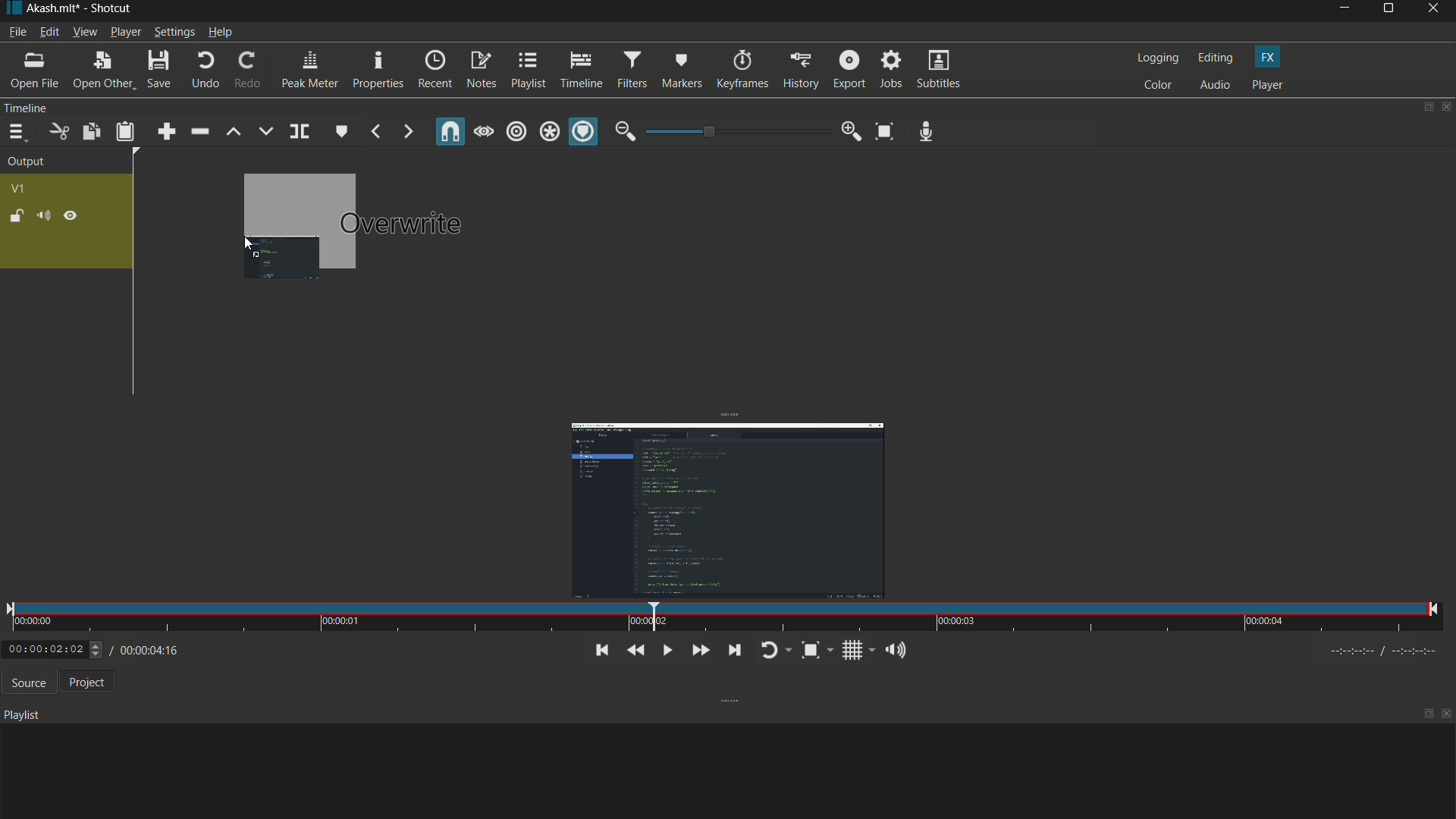 The width and height of the screenshot is (1456, 819). What do you see at coordinates (54, 108) in the screenshot?
I see `Timeline` at bounding box center [54, 108].